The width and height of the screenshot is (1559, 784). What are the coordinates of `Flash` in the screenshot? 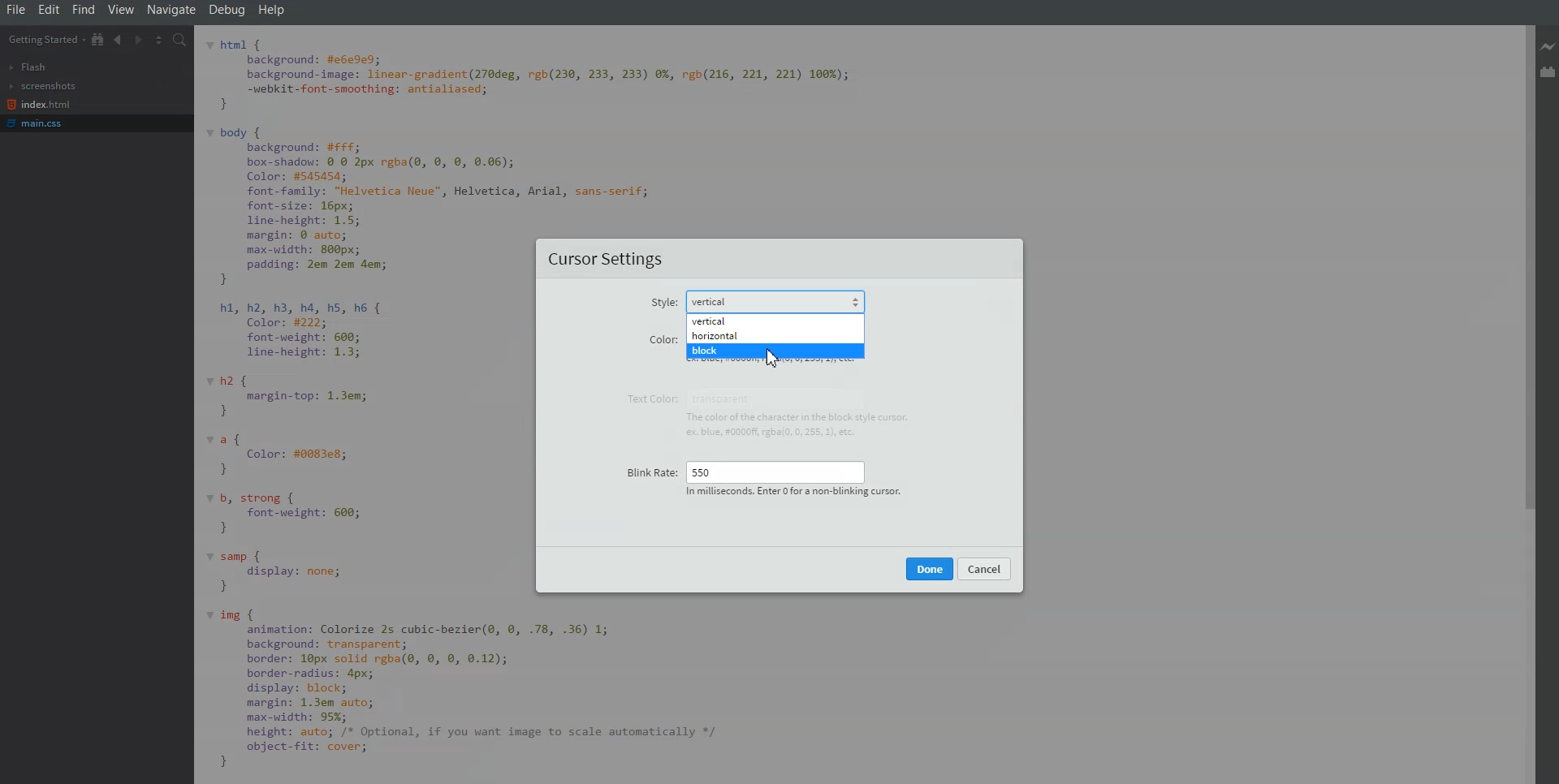 It's located at (29, 67).